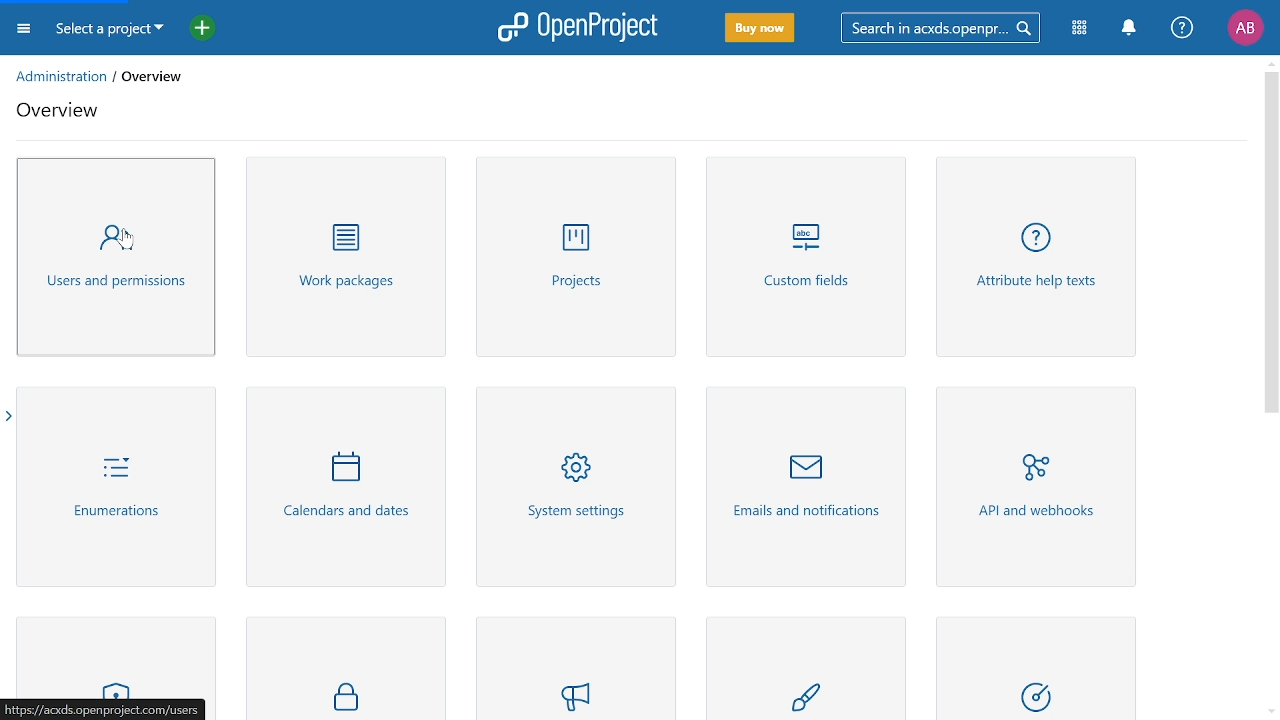 The width and height of the screenshot is (1280, 720). Describe the element at coordinates (582, 668) in the screenshot. I see `Announcement` at that location.